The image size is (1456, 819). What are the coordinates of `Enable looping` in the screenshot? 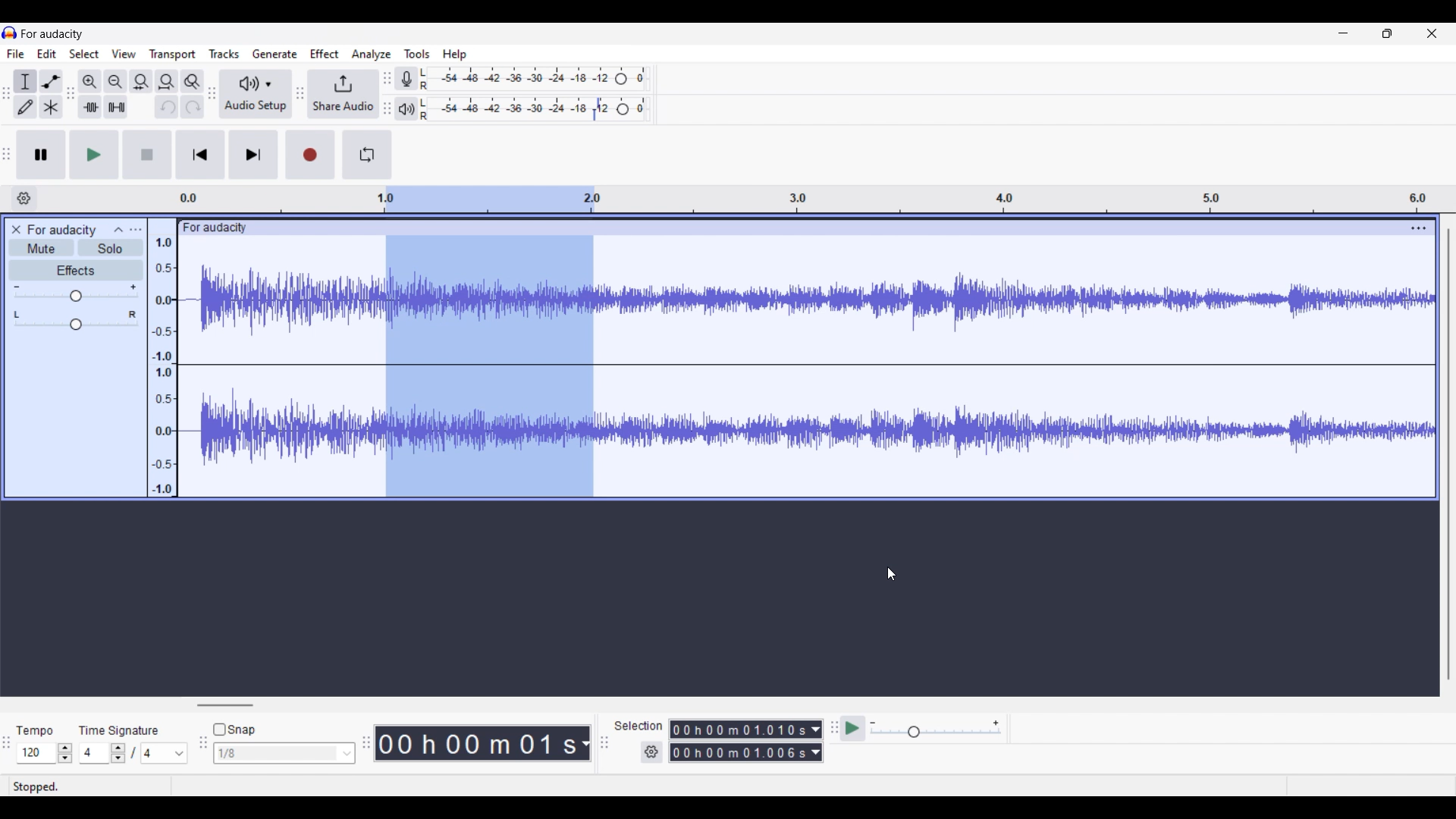 It's located at (367, 155).